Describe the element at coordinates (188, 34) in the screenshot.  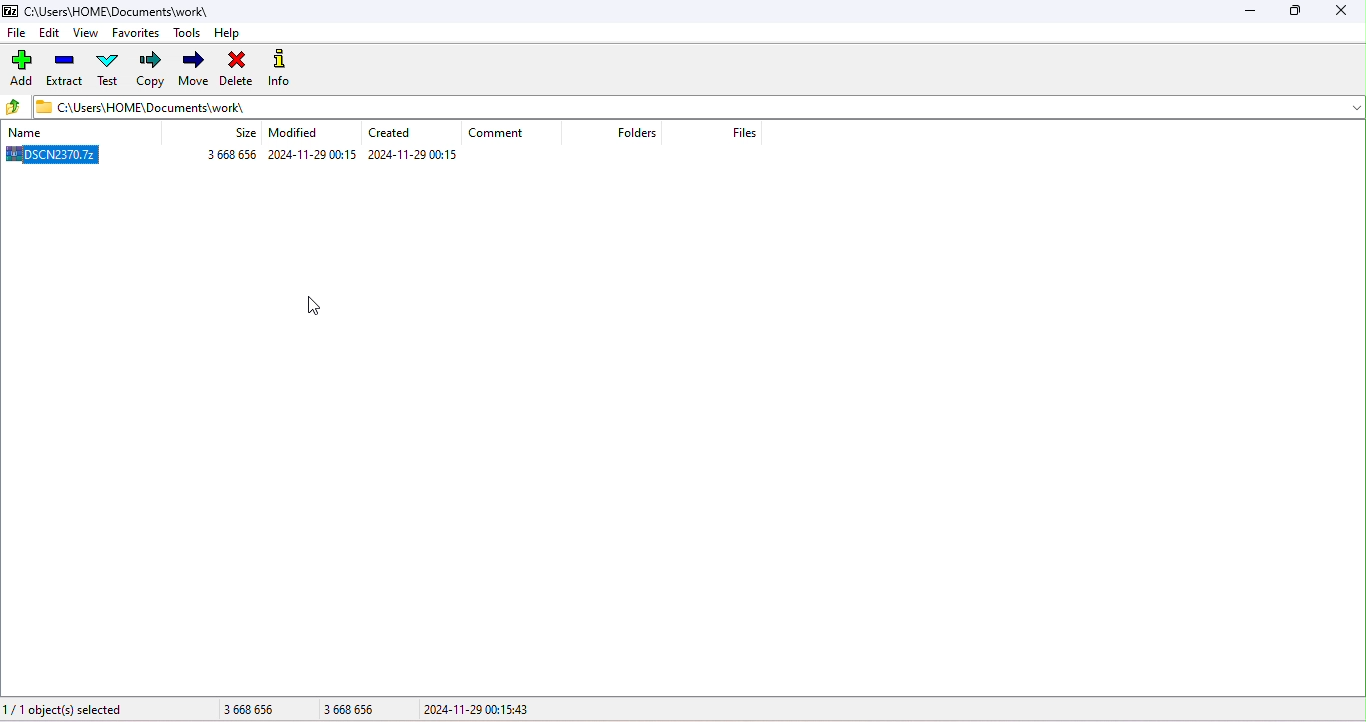
I see `tools` at that location.